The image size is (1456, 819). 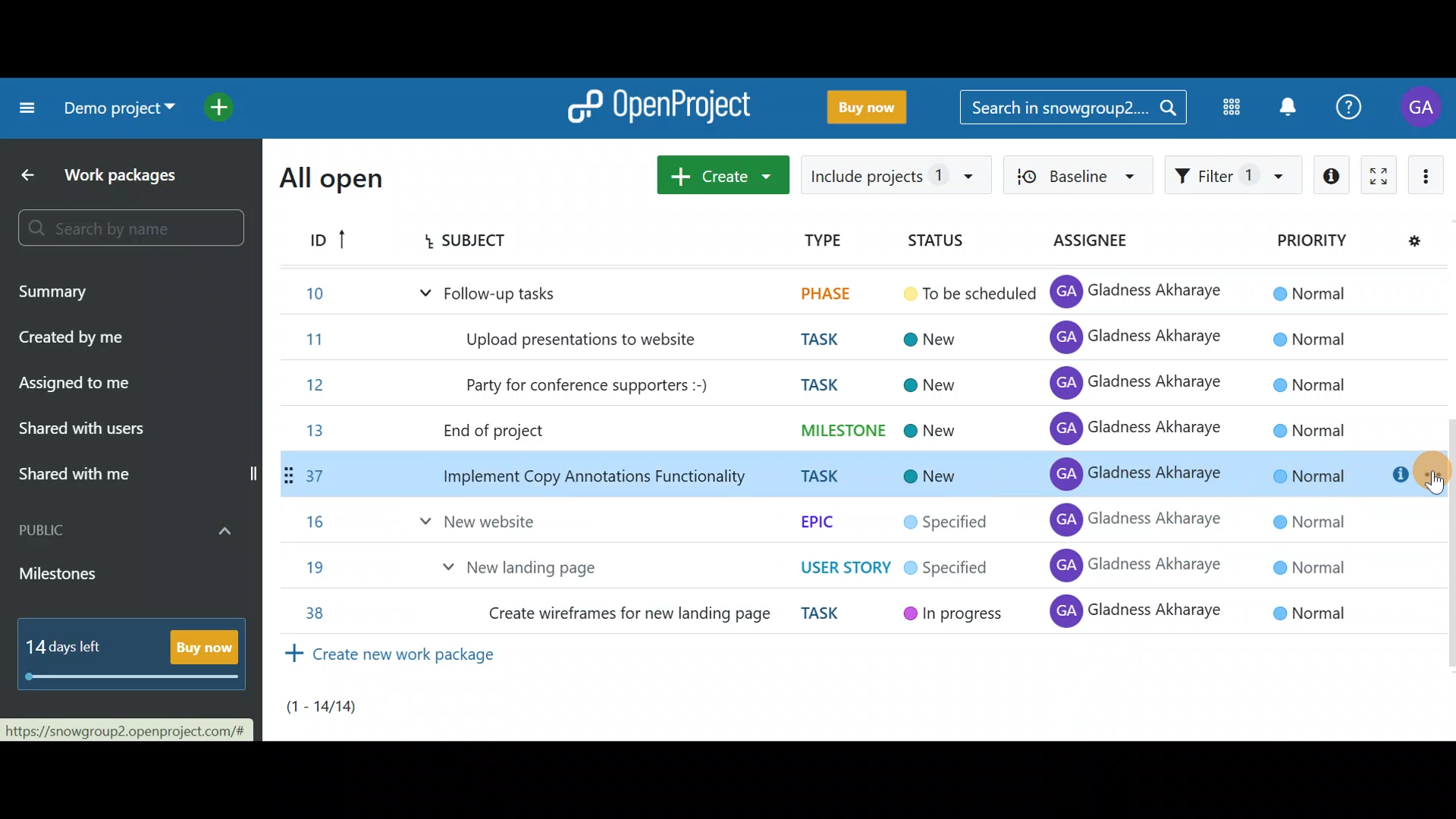 I want to click on © Normal, so click(x=1304, y=472).